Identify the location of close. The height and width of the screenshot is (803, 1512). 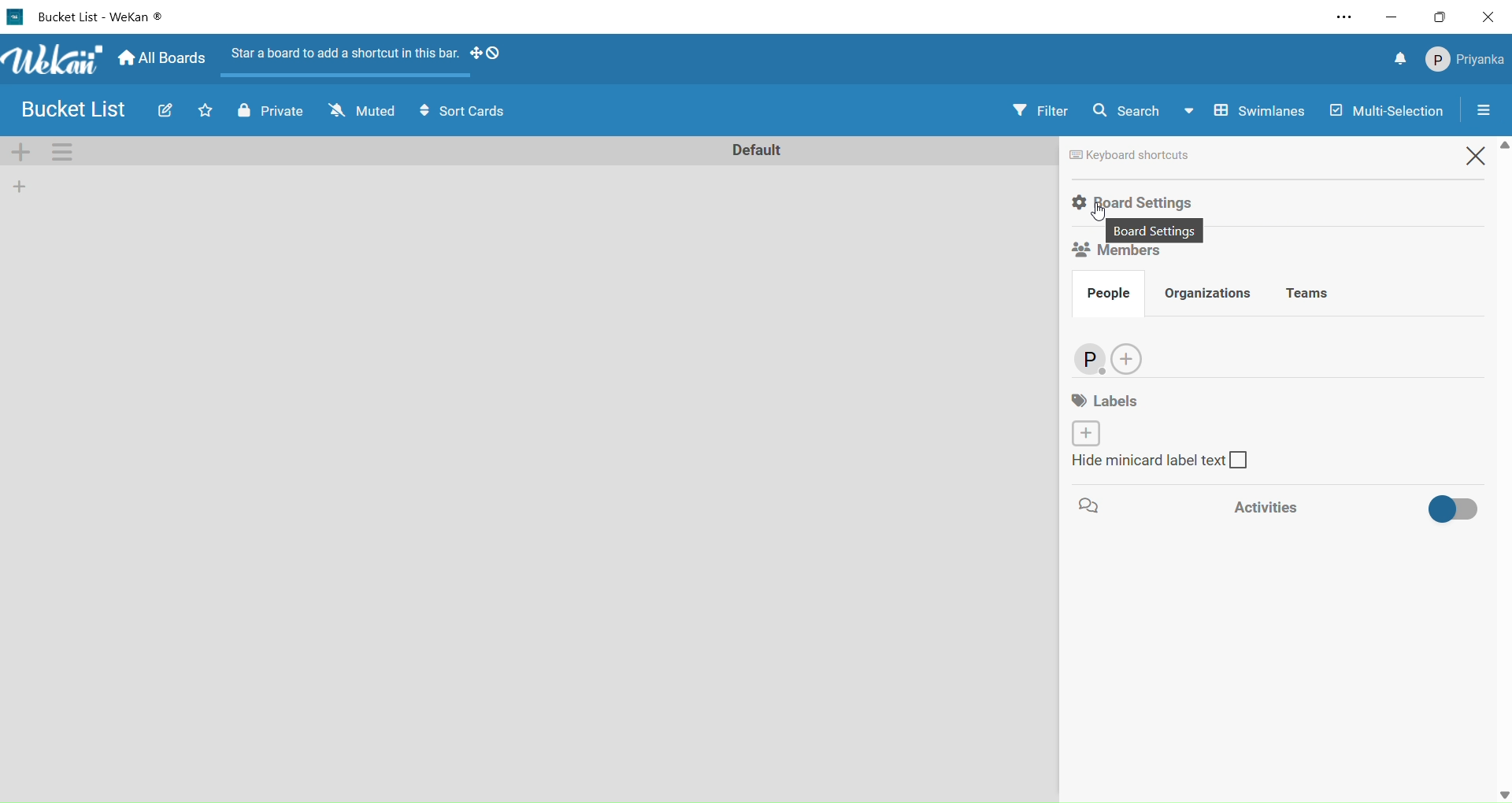
(1479, 159).